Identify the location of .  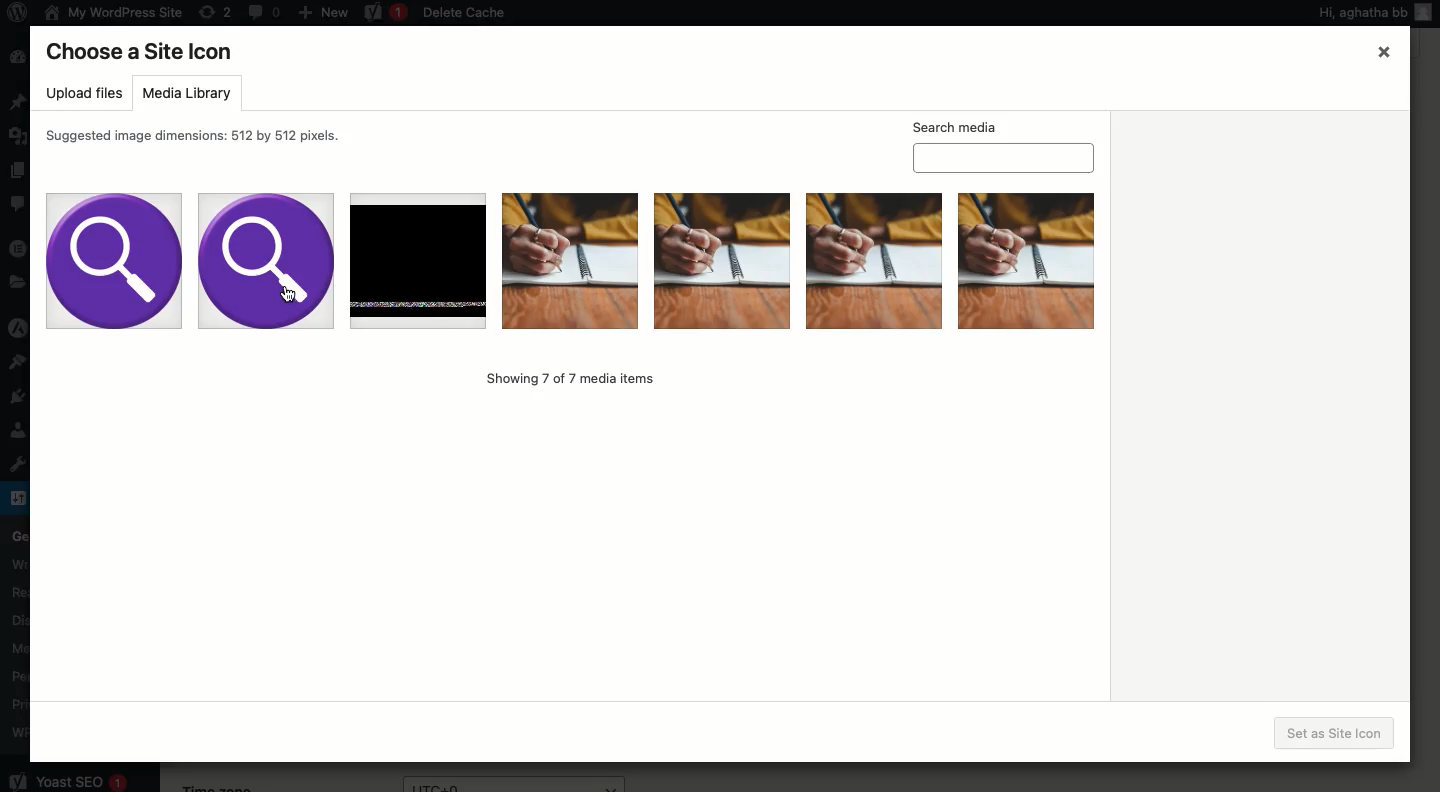
(872, 259).